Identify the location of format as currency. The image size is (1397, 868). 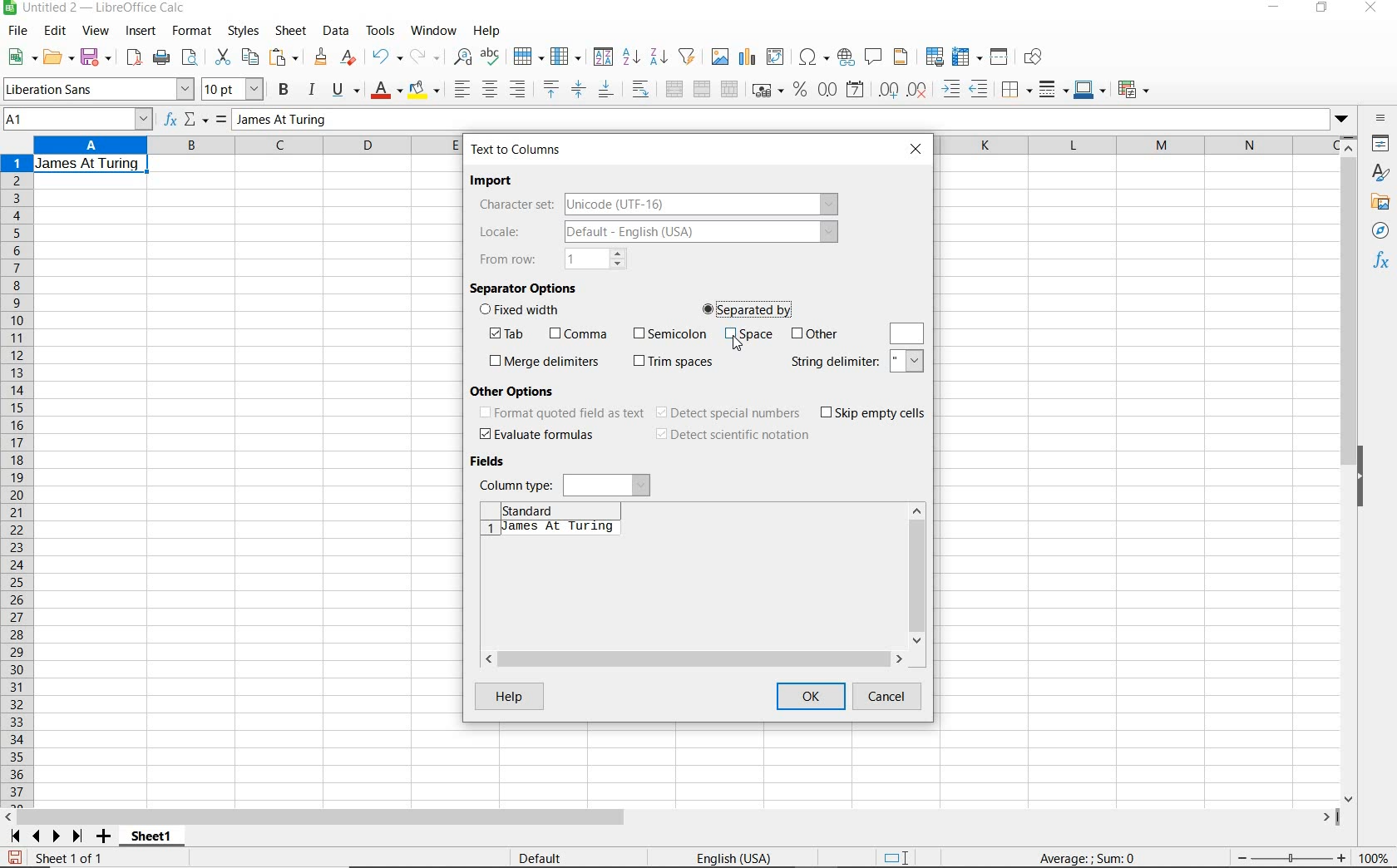
(767, 91).